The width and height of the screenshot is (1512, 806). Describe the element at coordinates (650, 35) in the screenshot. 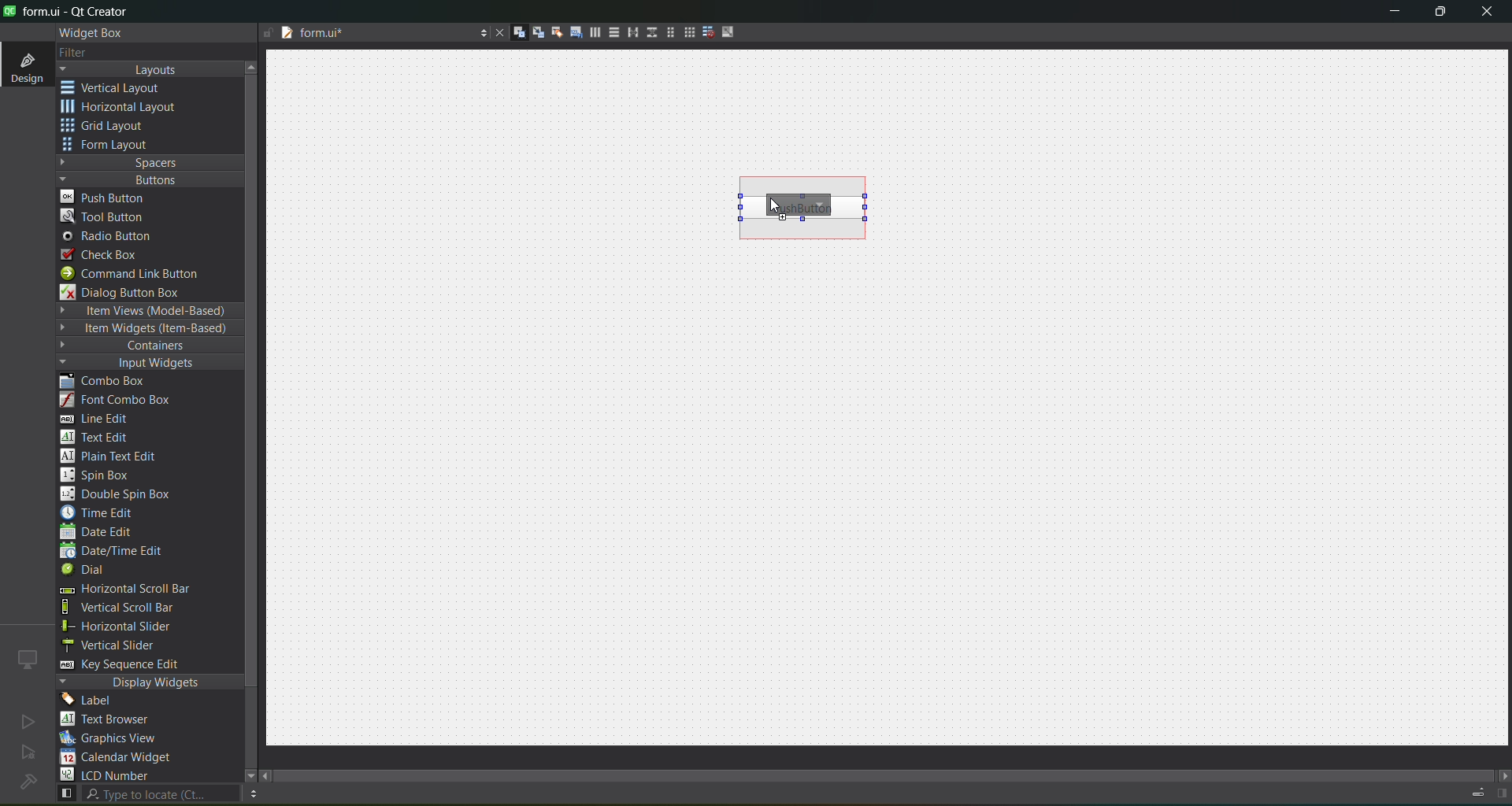

I see `vertical splitter` at that location.